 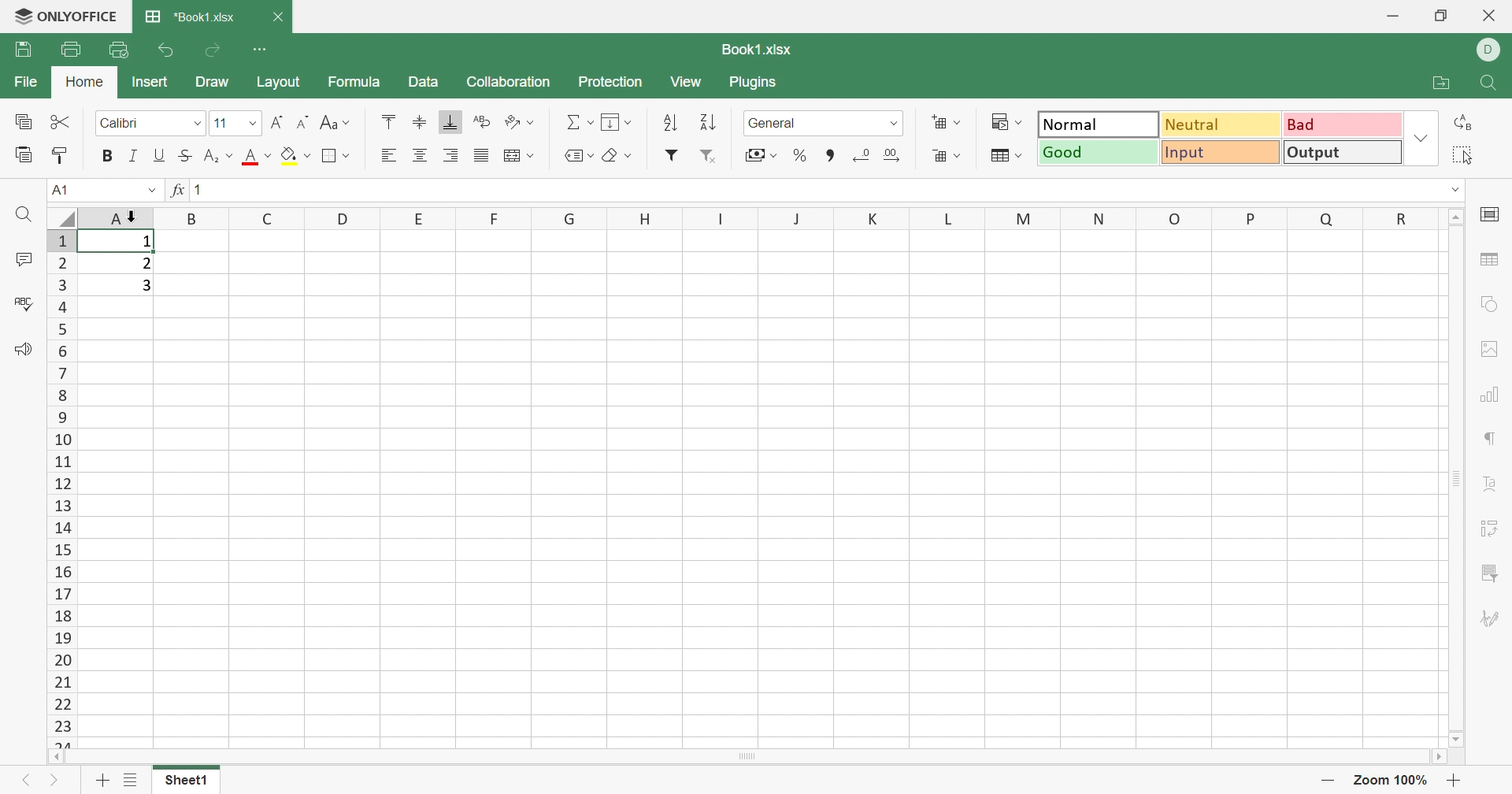 What do you see at coordinates (24, 123) in the screenshot?
I see `Copy` at bounding box center [24, 123].